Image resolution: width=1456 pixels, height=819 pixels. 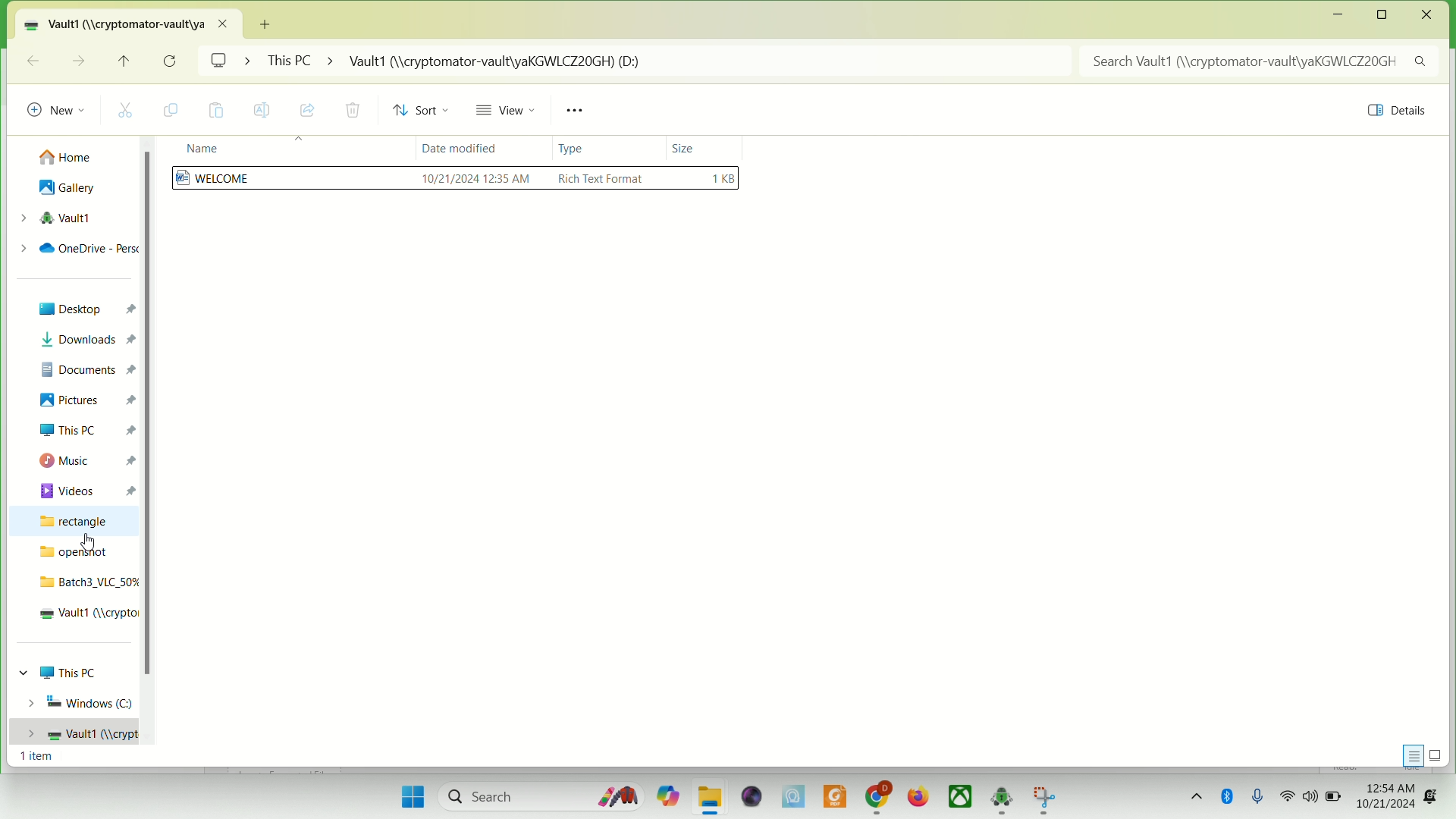 I want to click on maximize, so click(x=1387, y=15).